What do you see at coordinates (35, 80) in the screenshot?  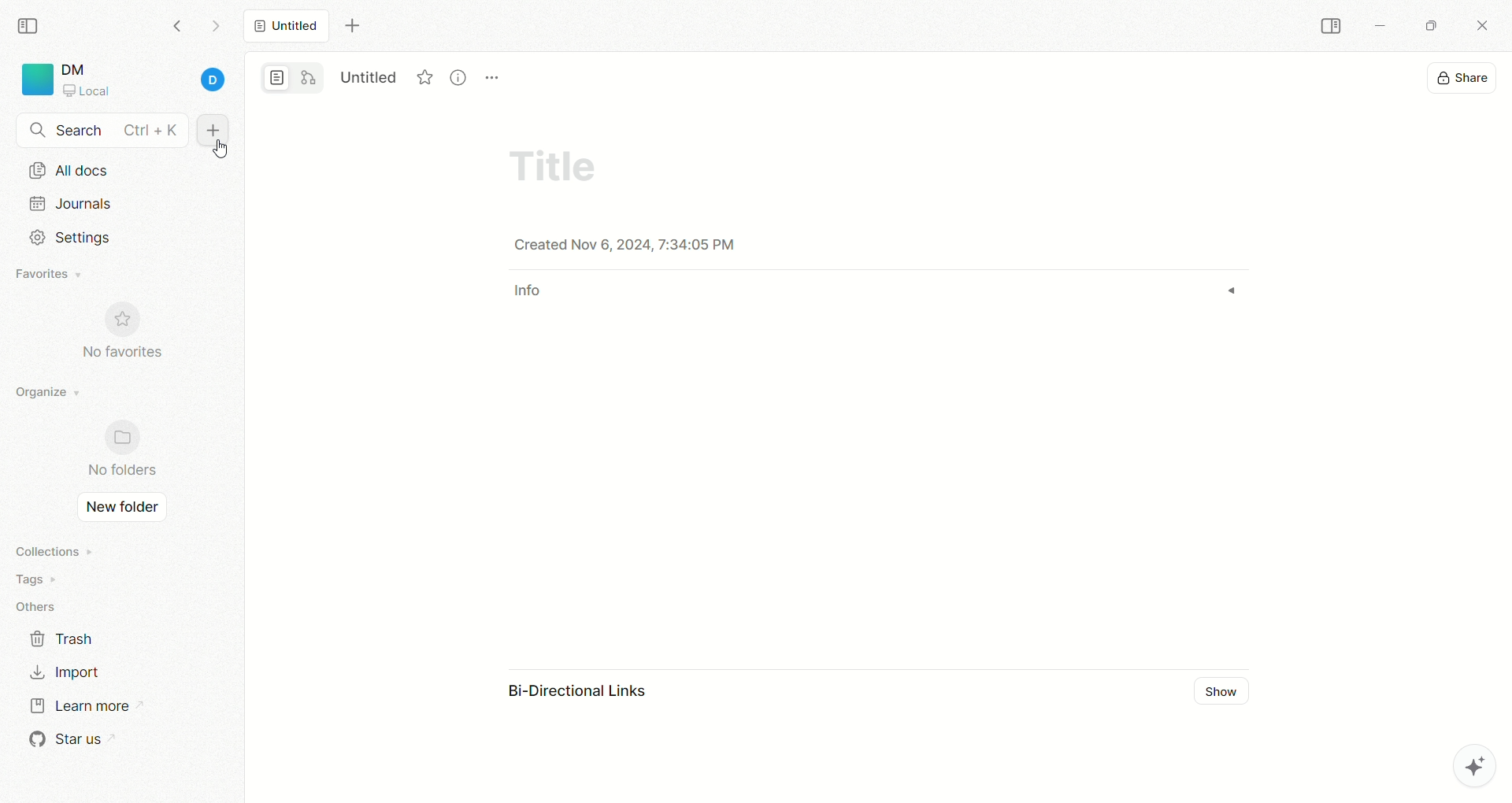 I see `logo` at bounding box center [35, 80].